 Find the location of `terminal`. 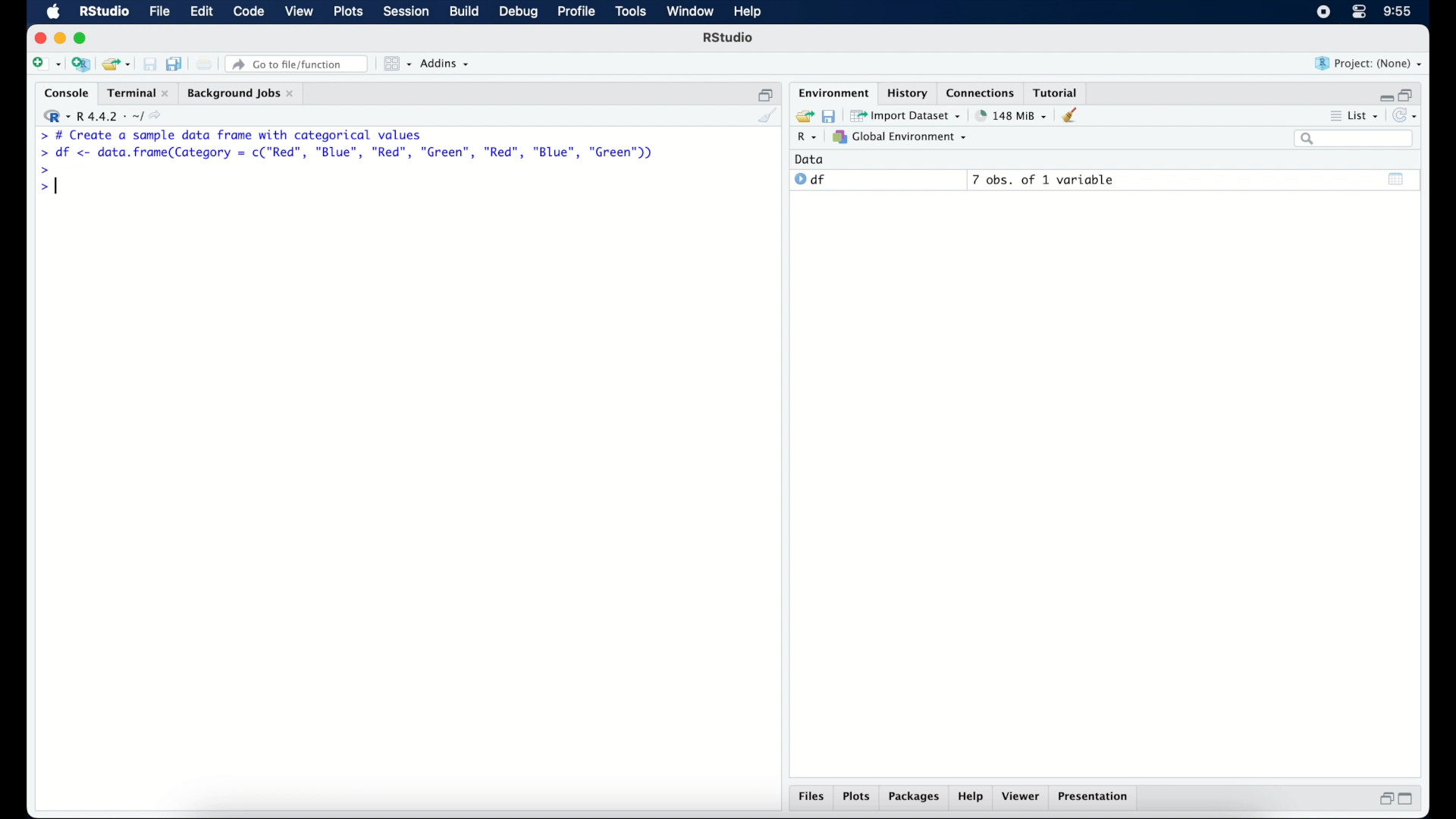

terminal is located at coordinates (136, 91).